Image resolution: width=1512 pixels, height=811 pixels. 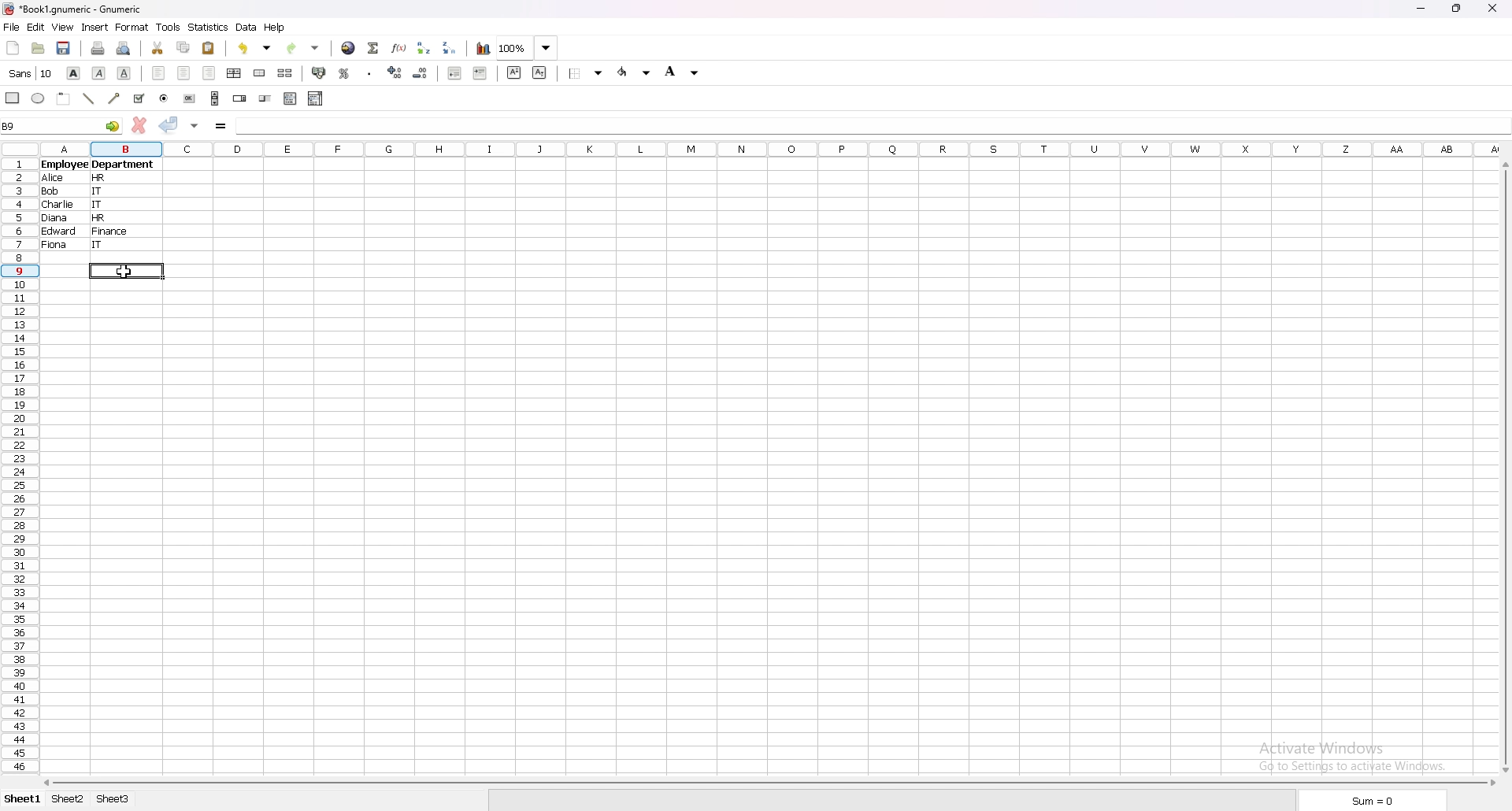 What do you see at coordinates (1421, 9) in the screenshot?
I see `minimize` at bounding box center [1421, 9].